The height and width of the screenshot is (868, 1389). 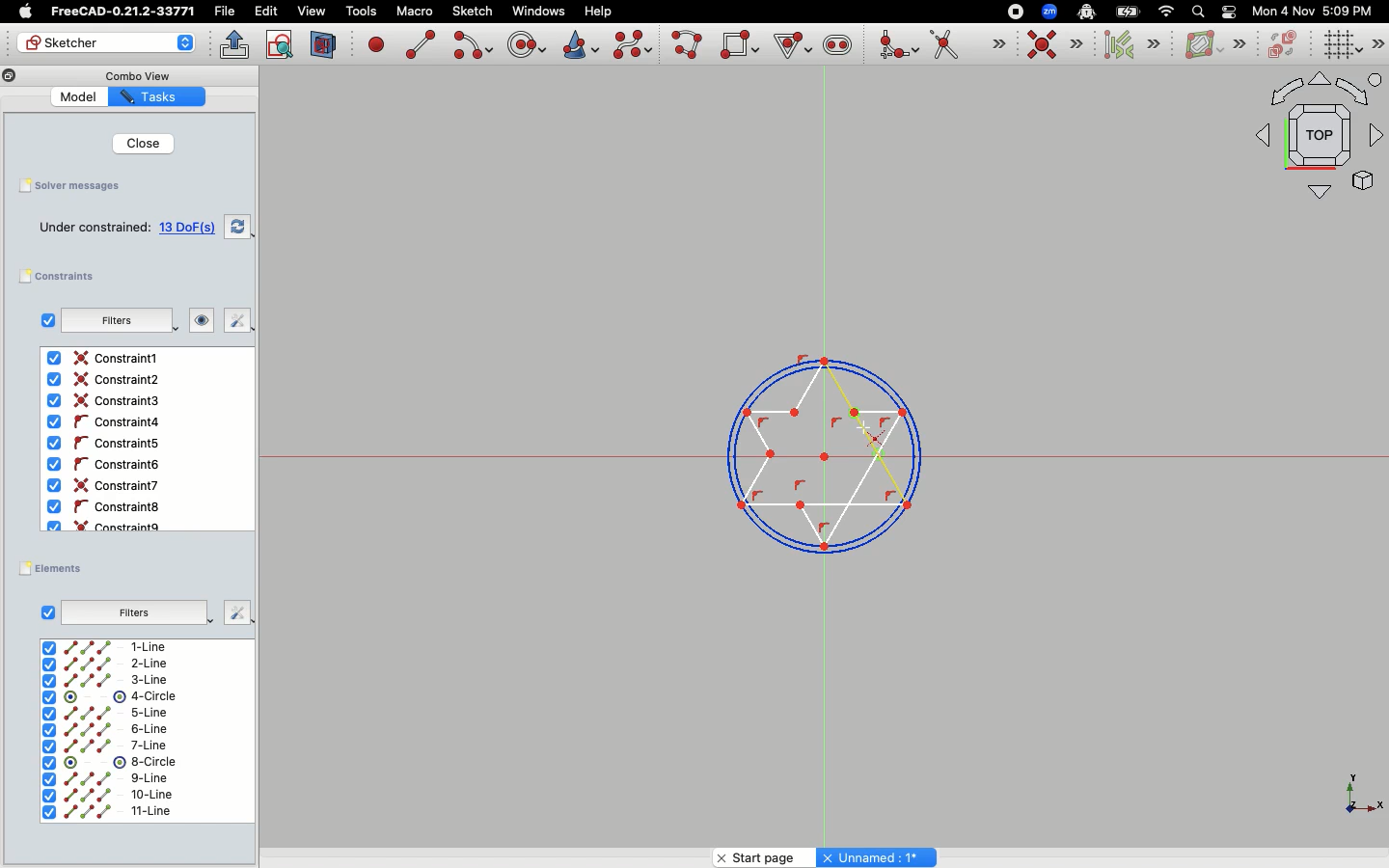 I want to click on Macro, so click(x=413, y=12).